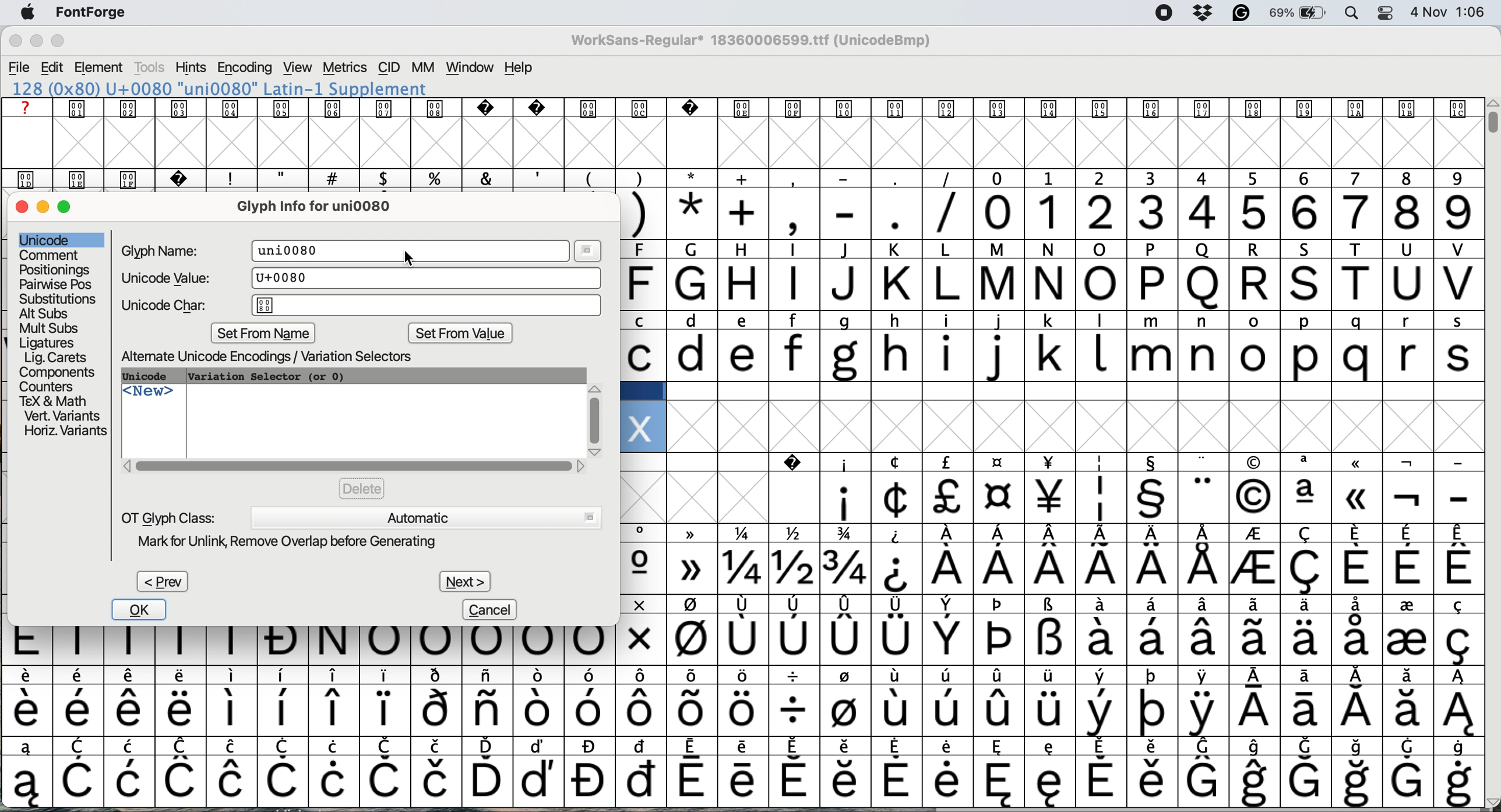  Describe the element at coordinates (44, 207) in the screenshot. I see `minimise` at that location.